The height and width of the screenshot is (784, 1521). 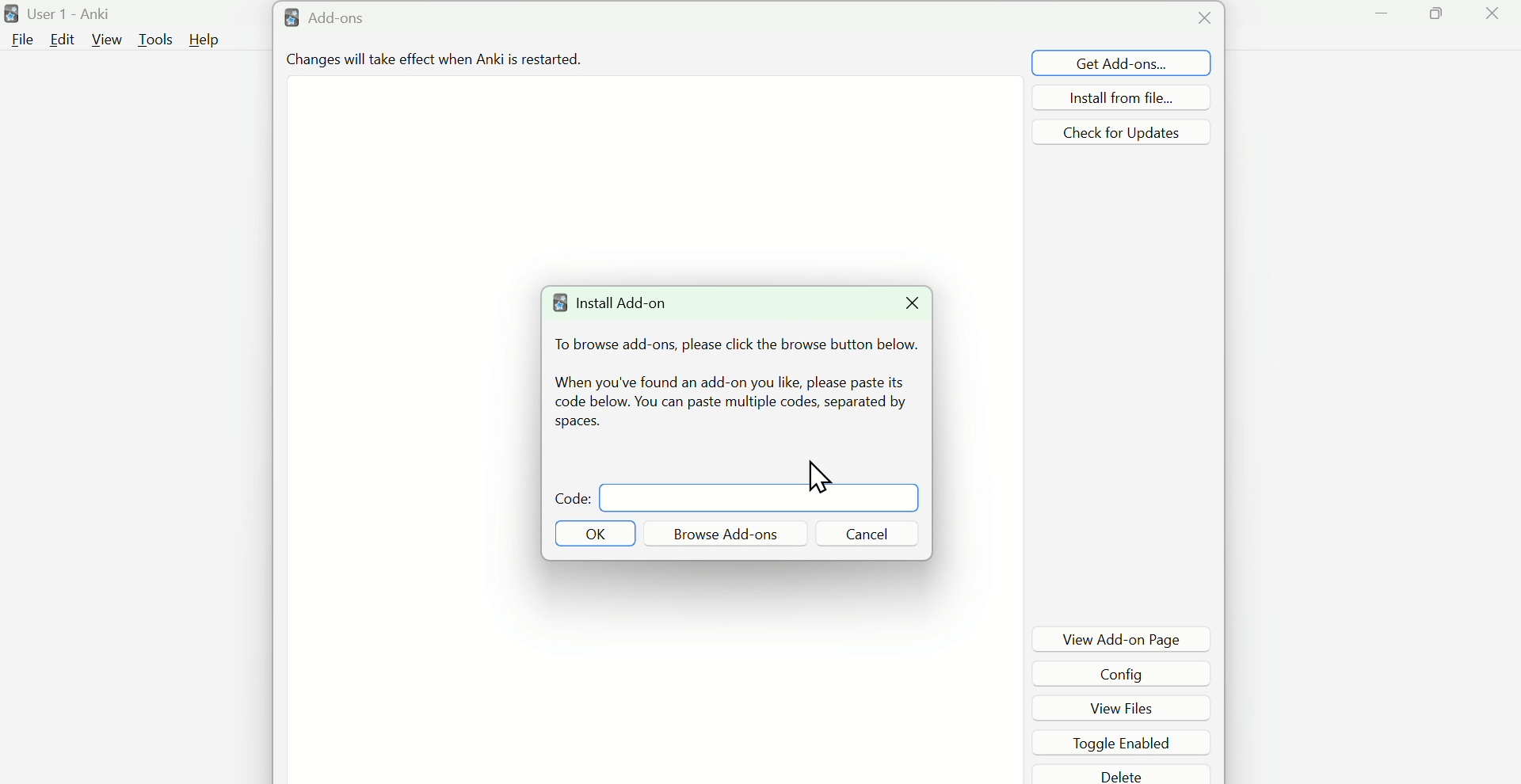 I want to click on & Add-ons, so click(x=350, y=20).